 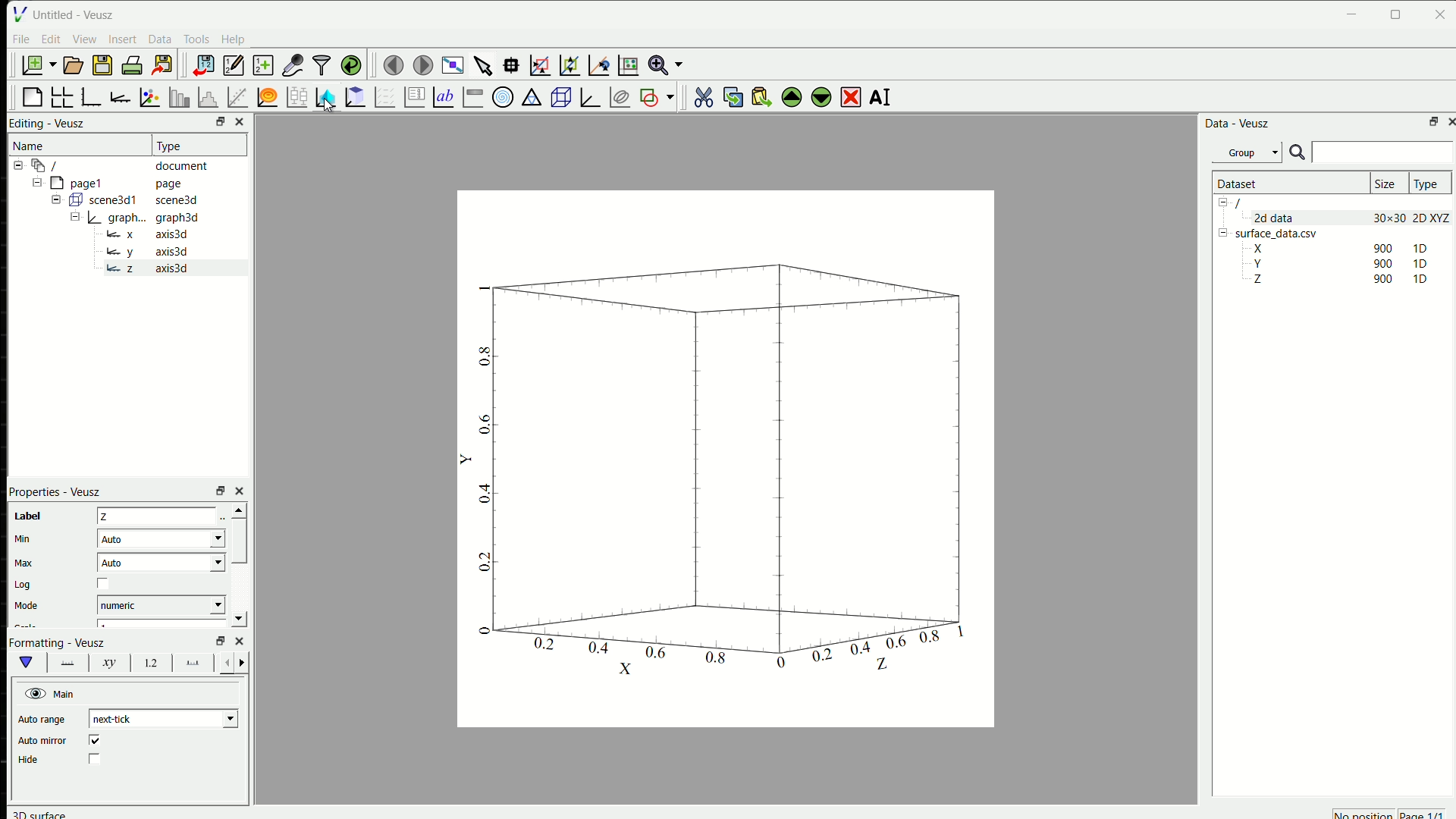 I want to click on numeric, so click(x=153, y=604).